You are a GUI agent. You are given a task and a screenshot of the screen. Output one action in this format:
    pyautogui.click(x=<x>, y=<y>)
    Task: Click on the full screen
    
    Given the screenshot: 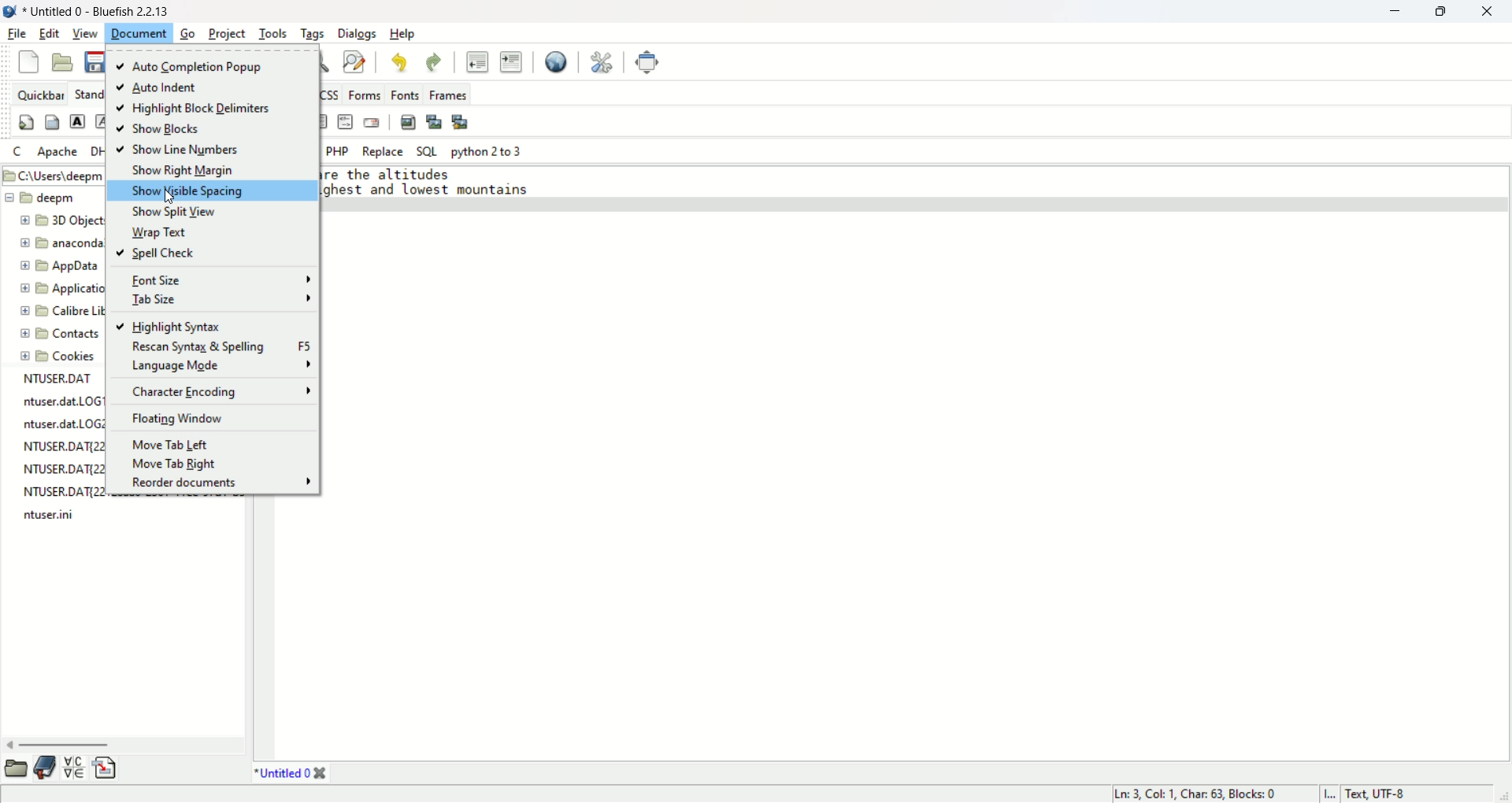 What is the action you would take?
    pyautogui.click(x=644, y=61)
    